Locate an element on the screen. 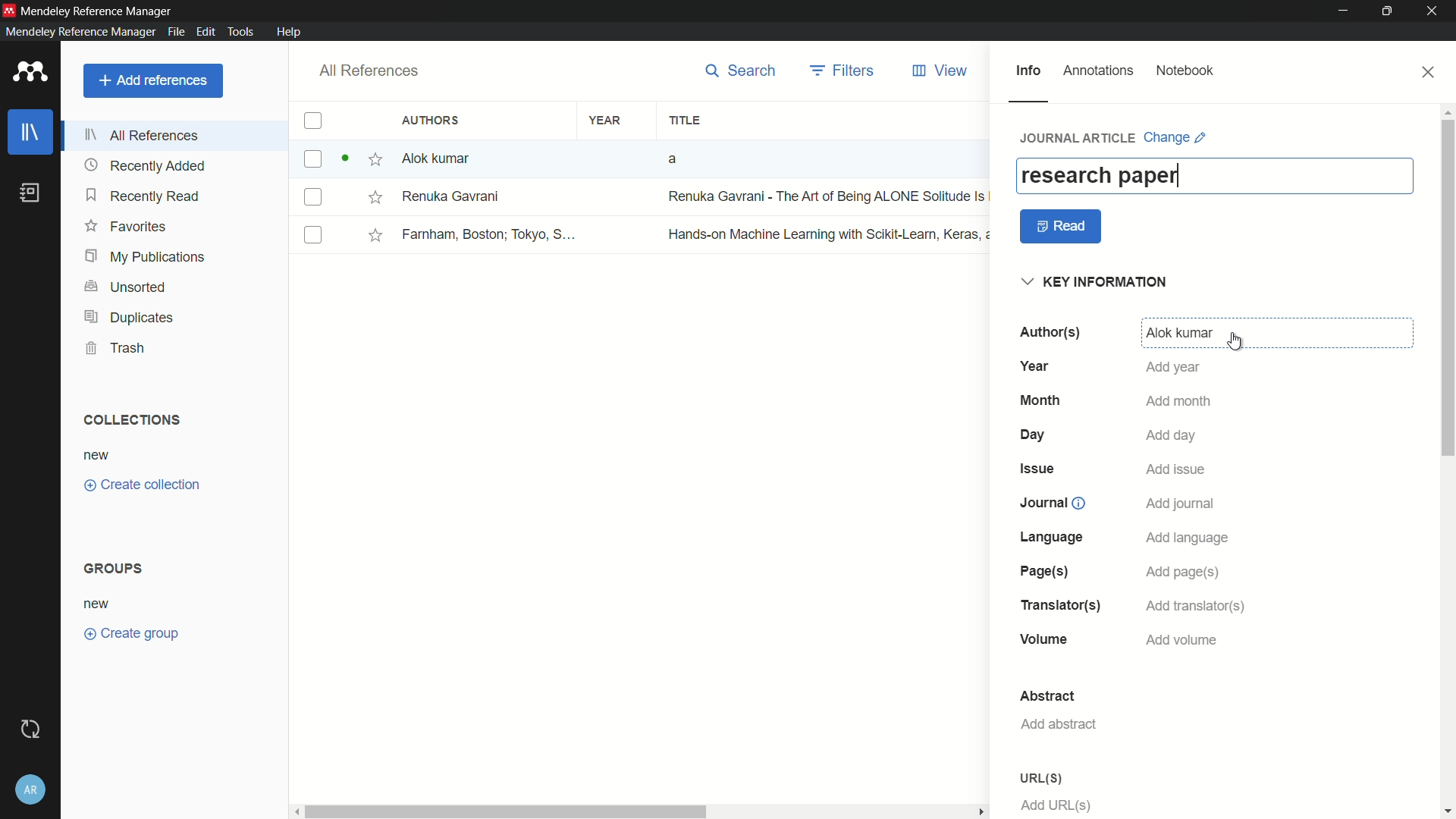  research paper is located at coordinates (1099, 175).